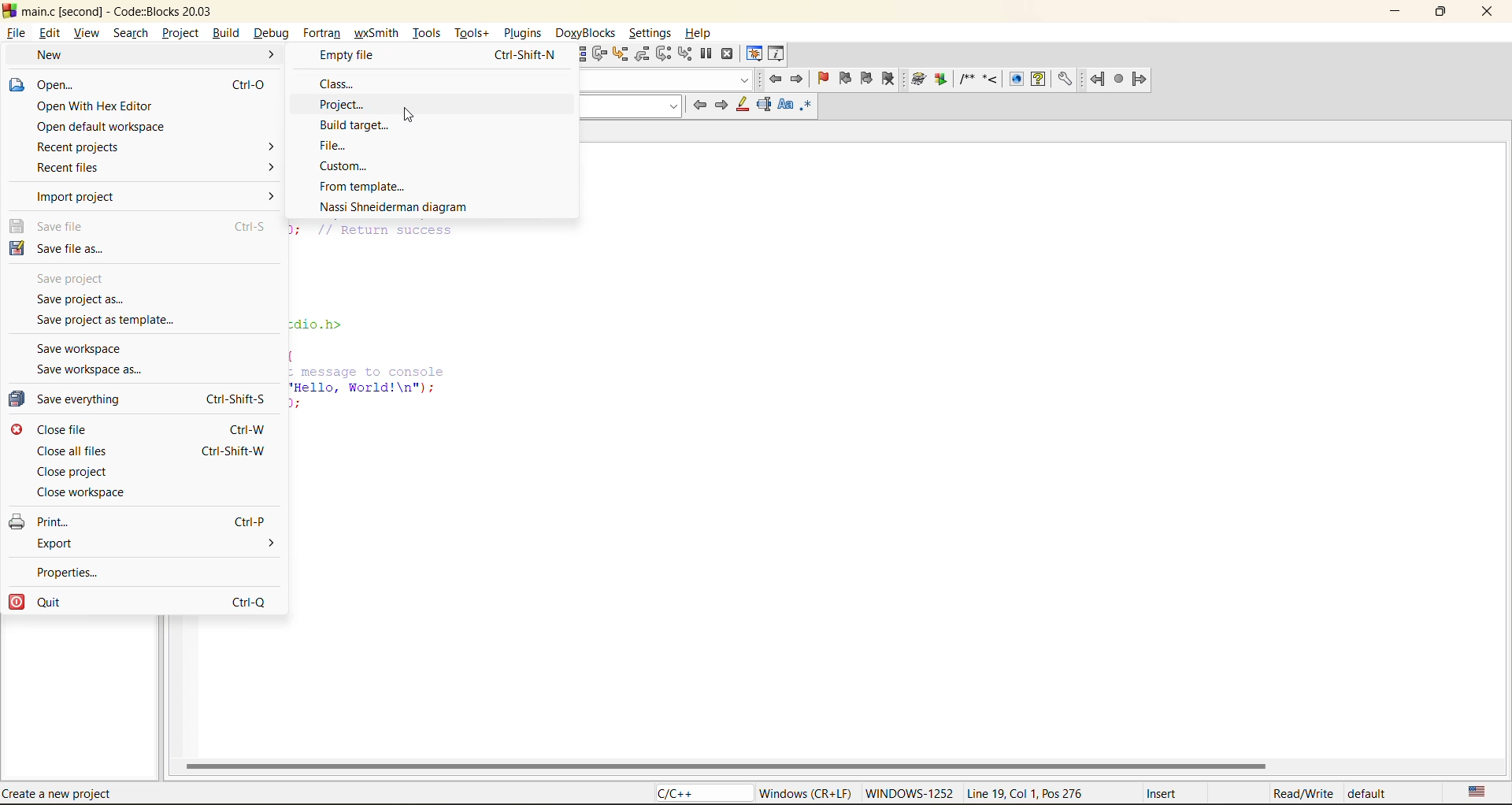 The image size is (1512, 805). I want to click on stop debugger, so click(726, 54).